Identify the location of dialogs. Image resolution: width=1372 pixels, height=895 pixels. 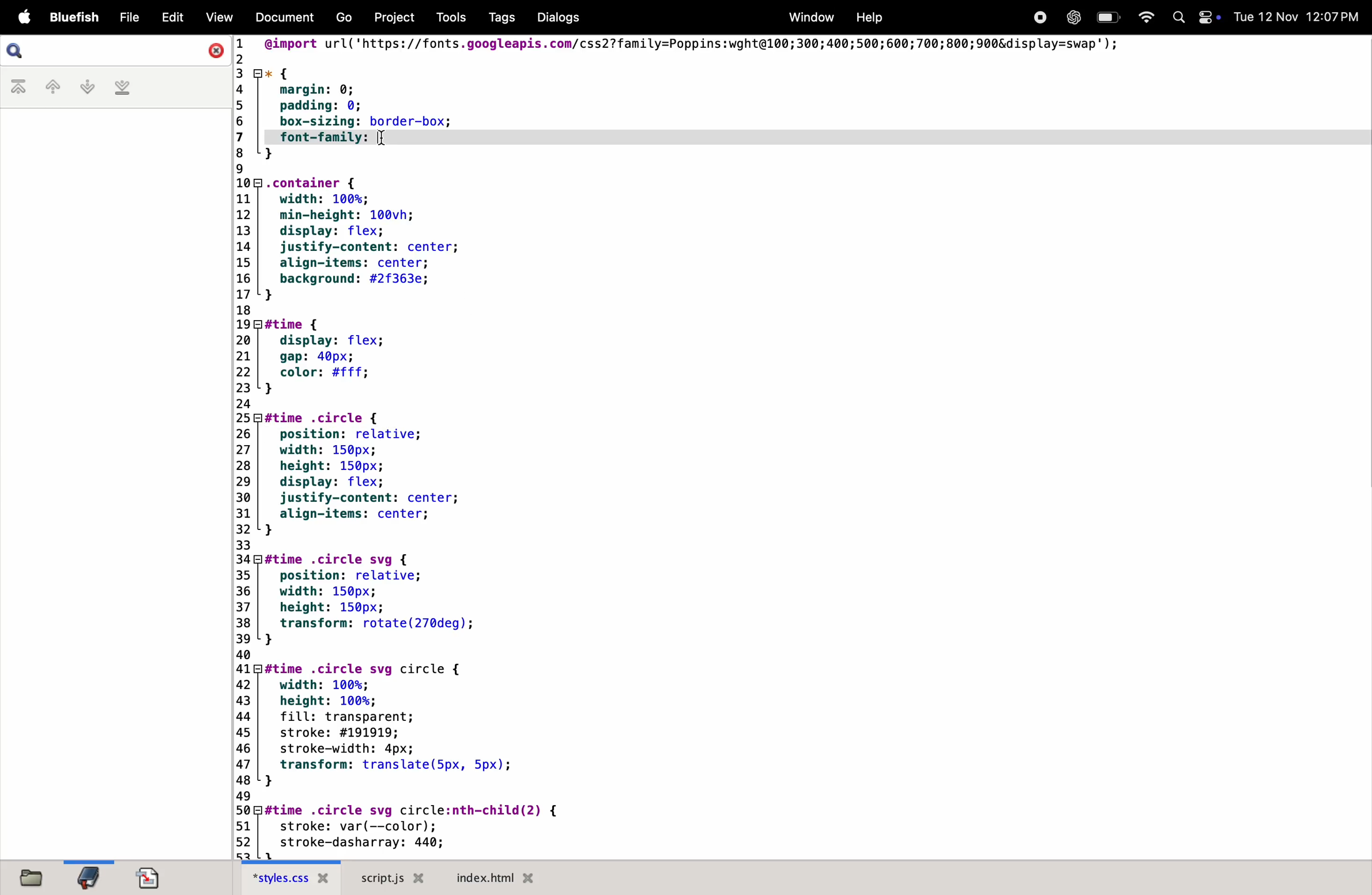
(556, 17).